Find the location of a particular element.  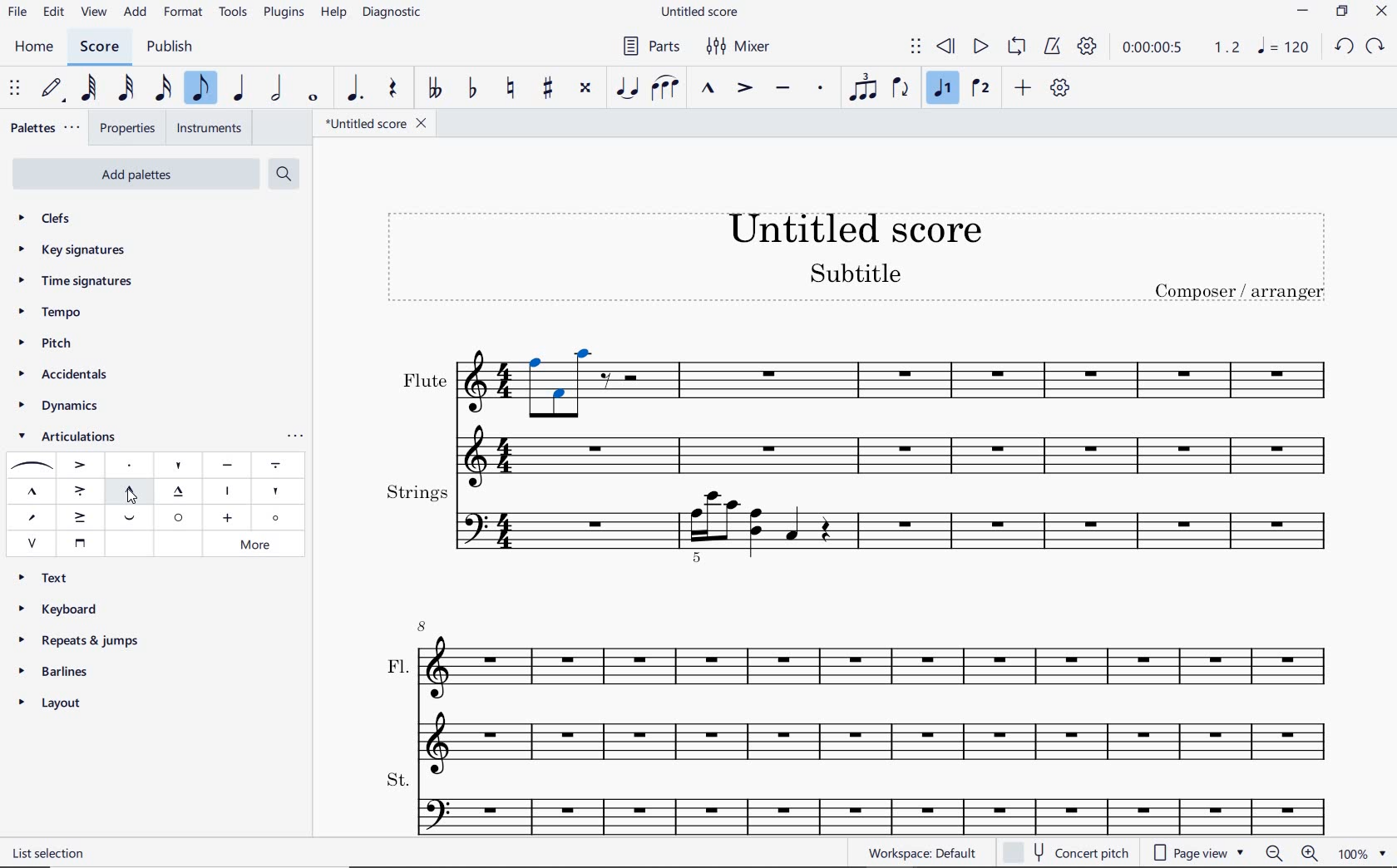

score is located at coordinates (97, 47).